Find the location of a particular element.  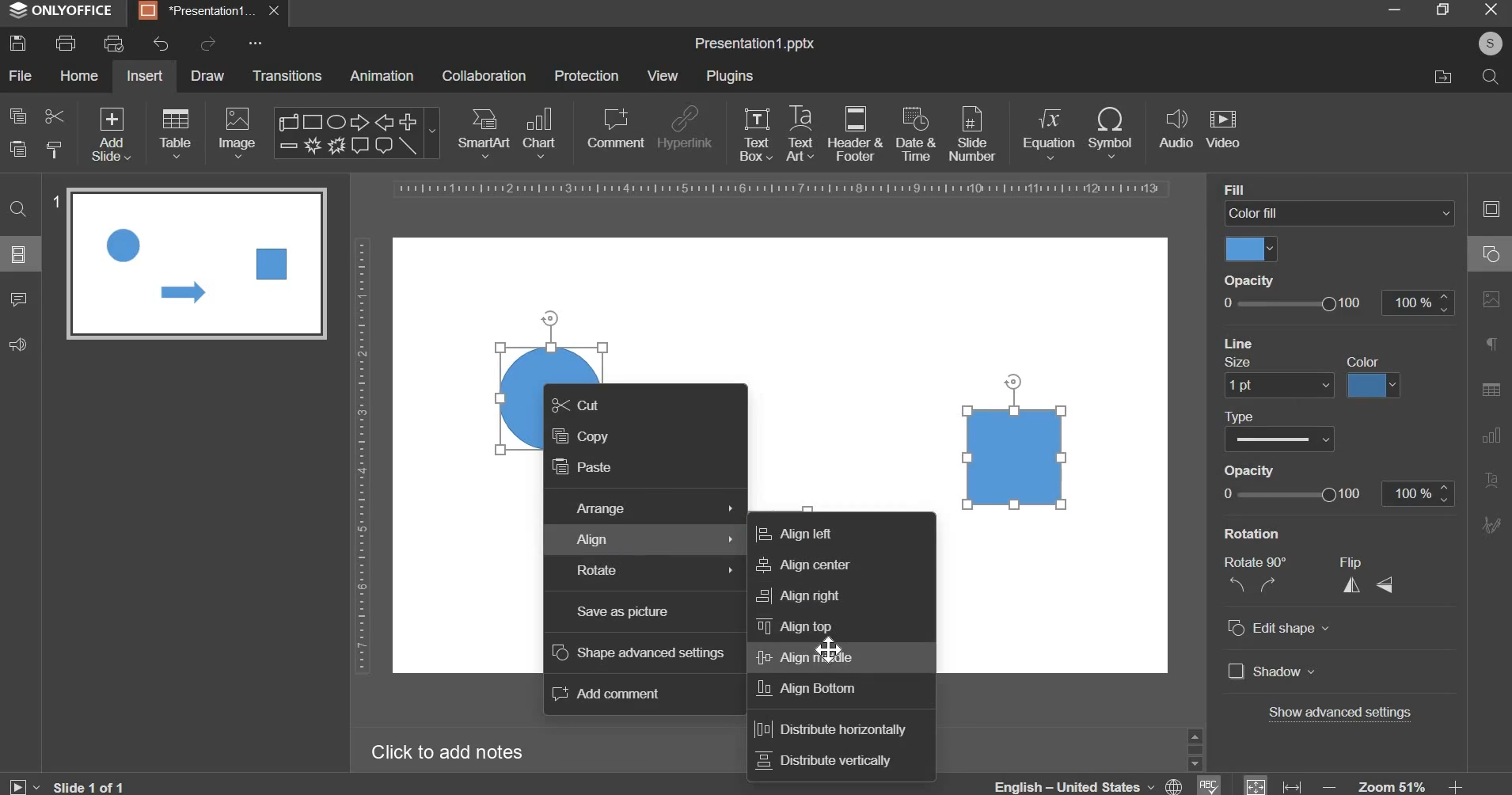

collaboration is located at coordinates (484, 76).